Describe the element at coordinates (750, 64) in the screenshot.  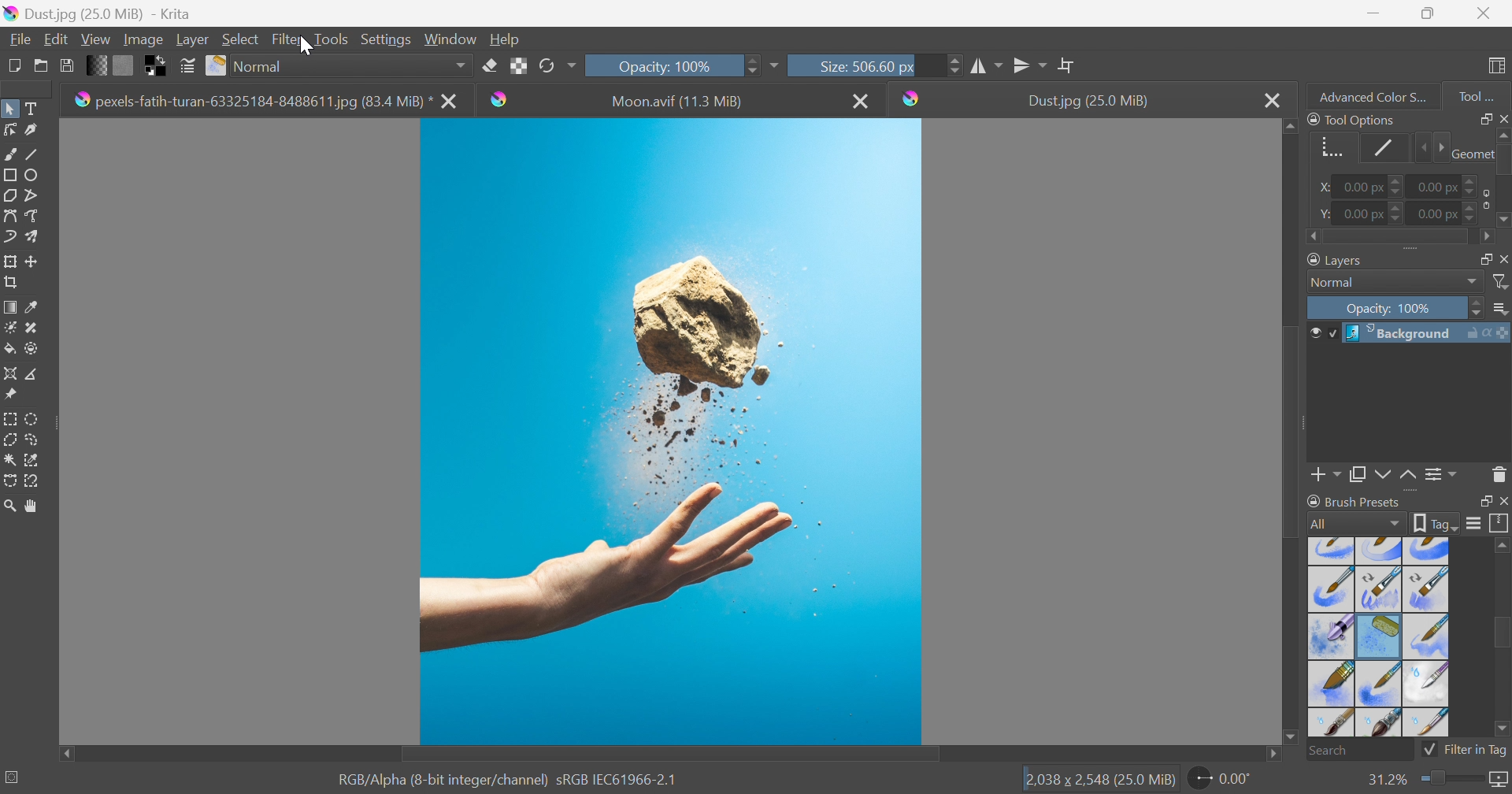
I see `Slider` at that location.